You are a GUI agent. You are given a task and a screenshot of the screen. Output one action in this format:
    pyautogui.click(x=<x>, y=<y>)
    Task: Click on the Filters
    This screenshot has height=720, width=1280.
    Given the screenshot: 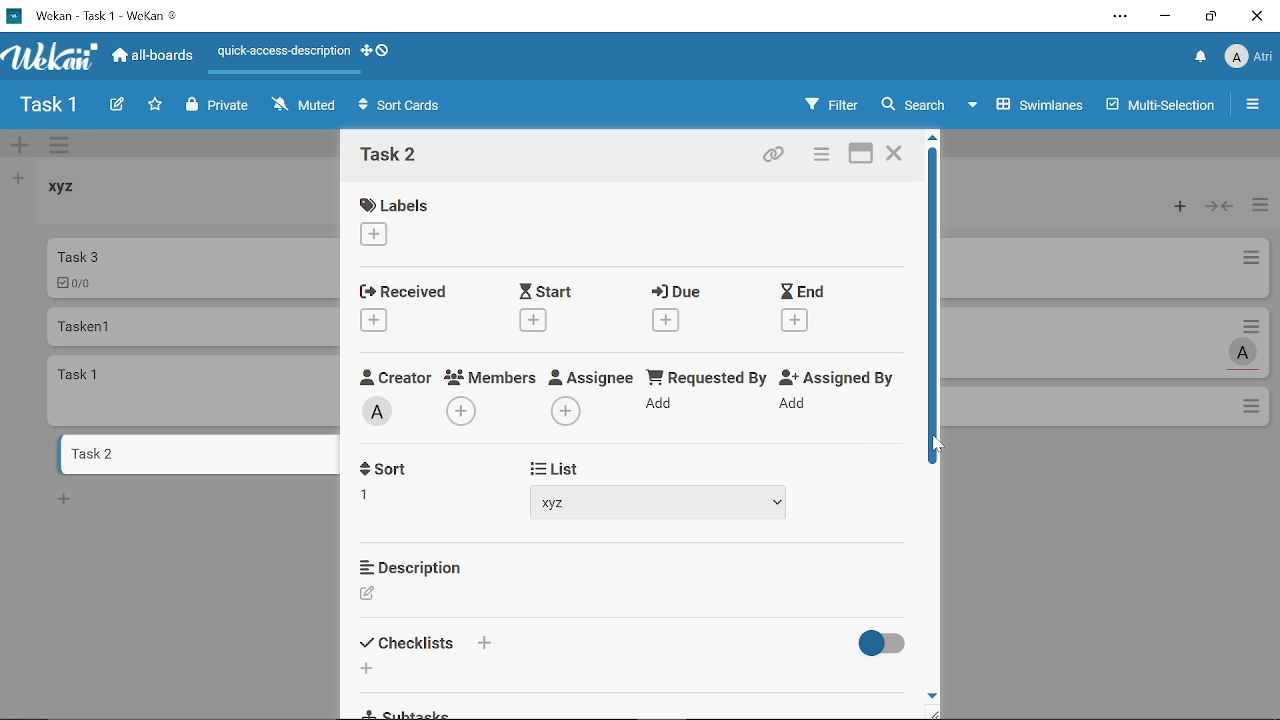 What is the action you would take?
    pyautogui.click(x=827, y=105)
    